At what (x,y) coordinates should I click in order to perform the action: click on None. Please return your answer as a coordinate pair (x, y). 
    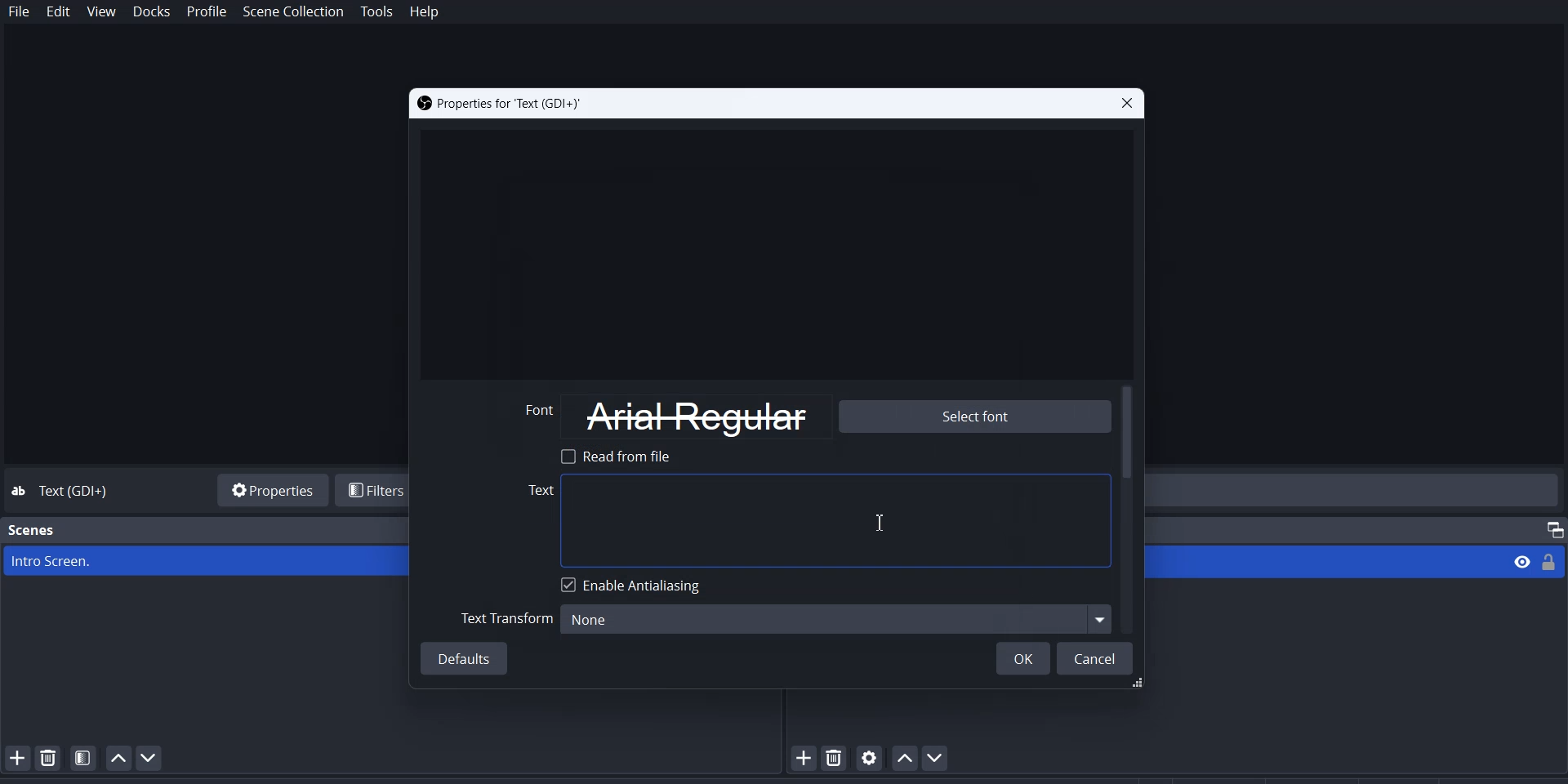
    Looking at the image, I should click on (833, 618).